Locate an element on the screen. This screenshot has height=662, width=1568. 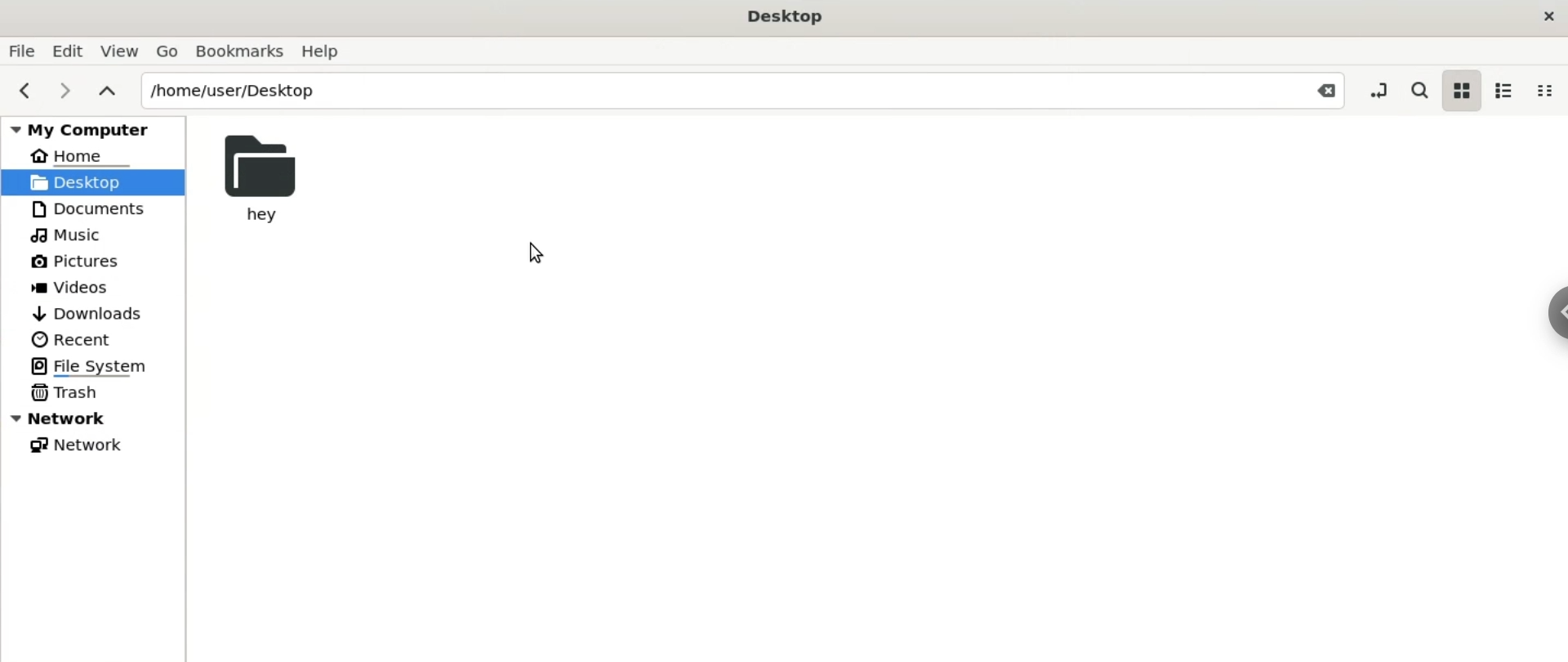
network is located at coordinates (81, 445).